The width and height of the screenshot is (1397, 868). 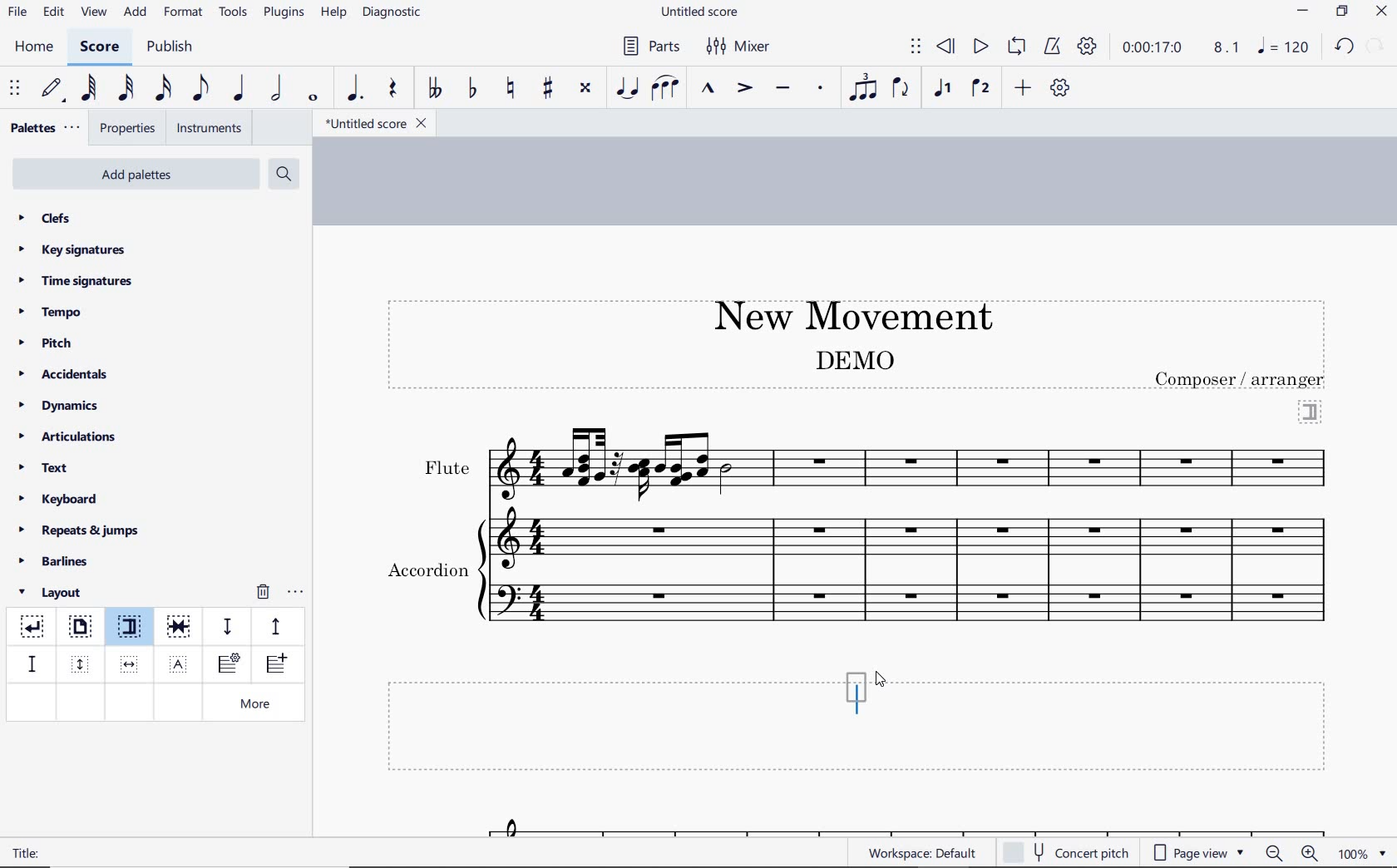 What do you see at coordinates (1377, 45) in the screenshot?
I see `redo` at bounding box center [1377, 45].